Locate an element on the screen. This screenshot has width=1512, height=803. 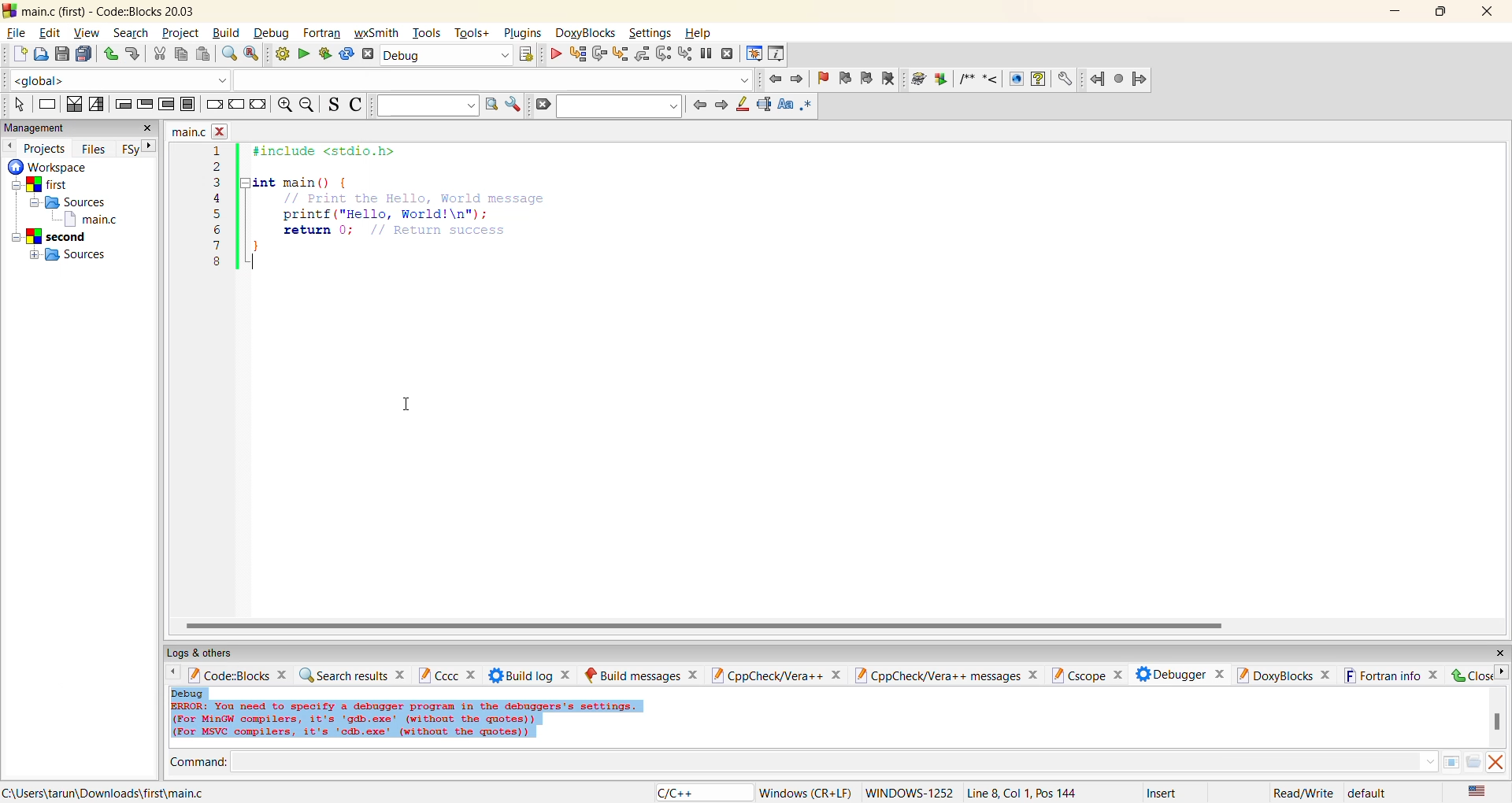
debug is located at coordinates (273, 33).